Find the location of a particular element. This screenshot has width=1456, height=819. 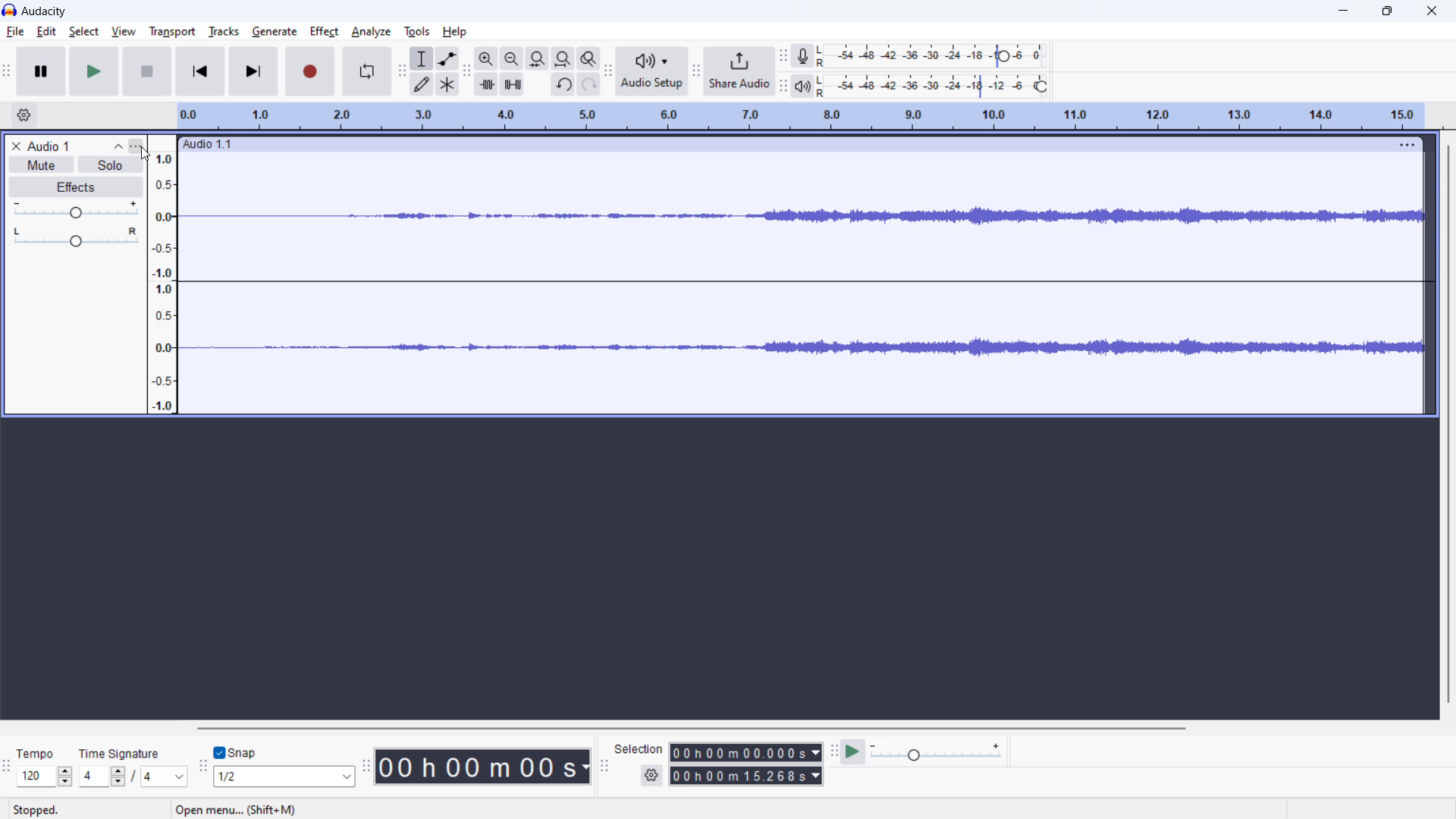

share audio toolbar is located at coordinates (697, 71).